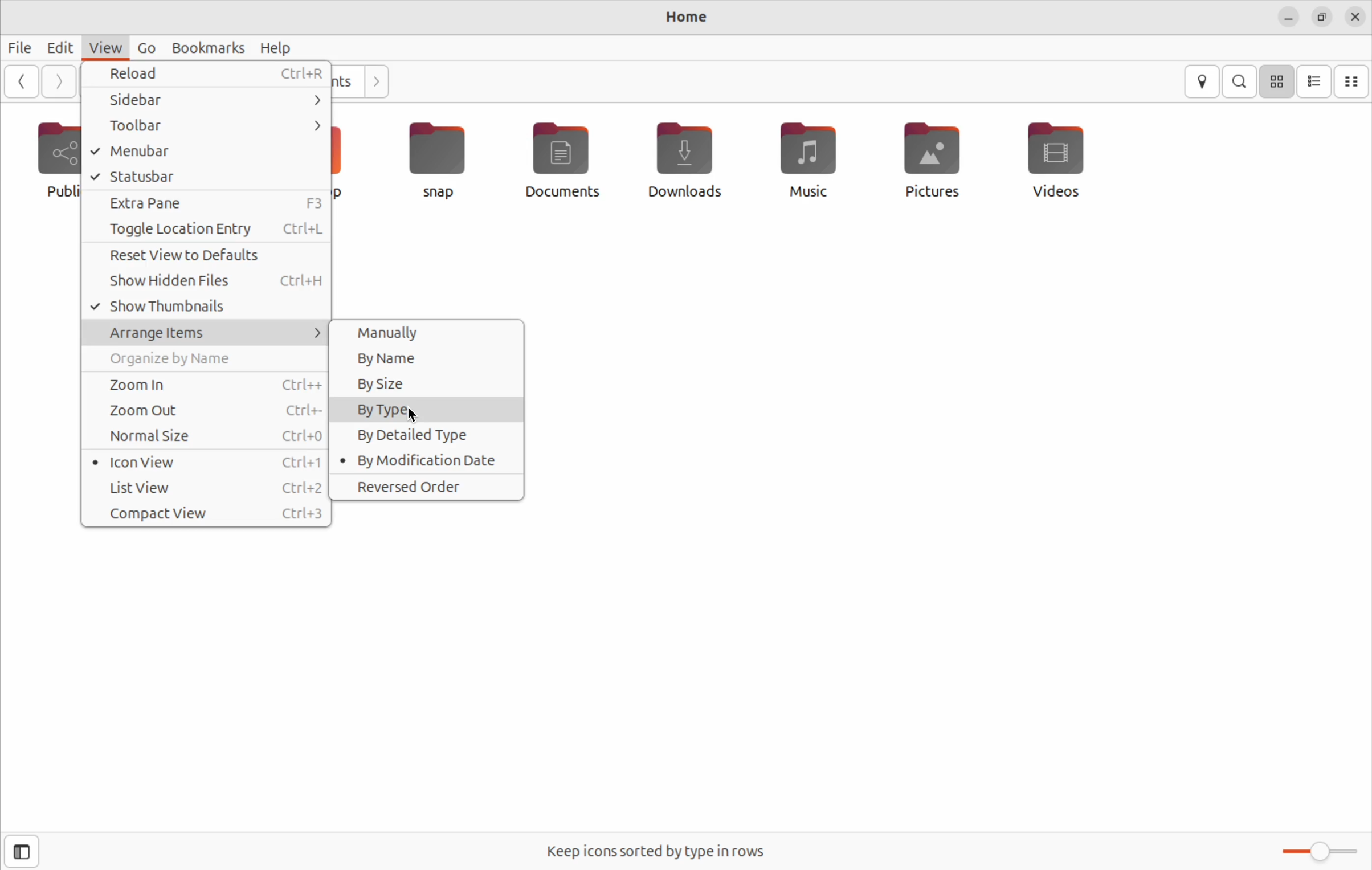  Describe the element at coordinates (1314, 83) in the screenshot. I see `list view` at that location.